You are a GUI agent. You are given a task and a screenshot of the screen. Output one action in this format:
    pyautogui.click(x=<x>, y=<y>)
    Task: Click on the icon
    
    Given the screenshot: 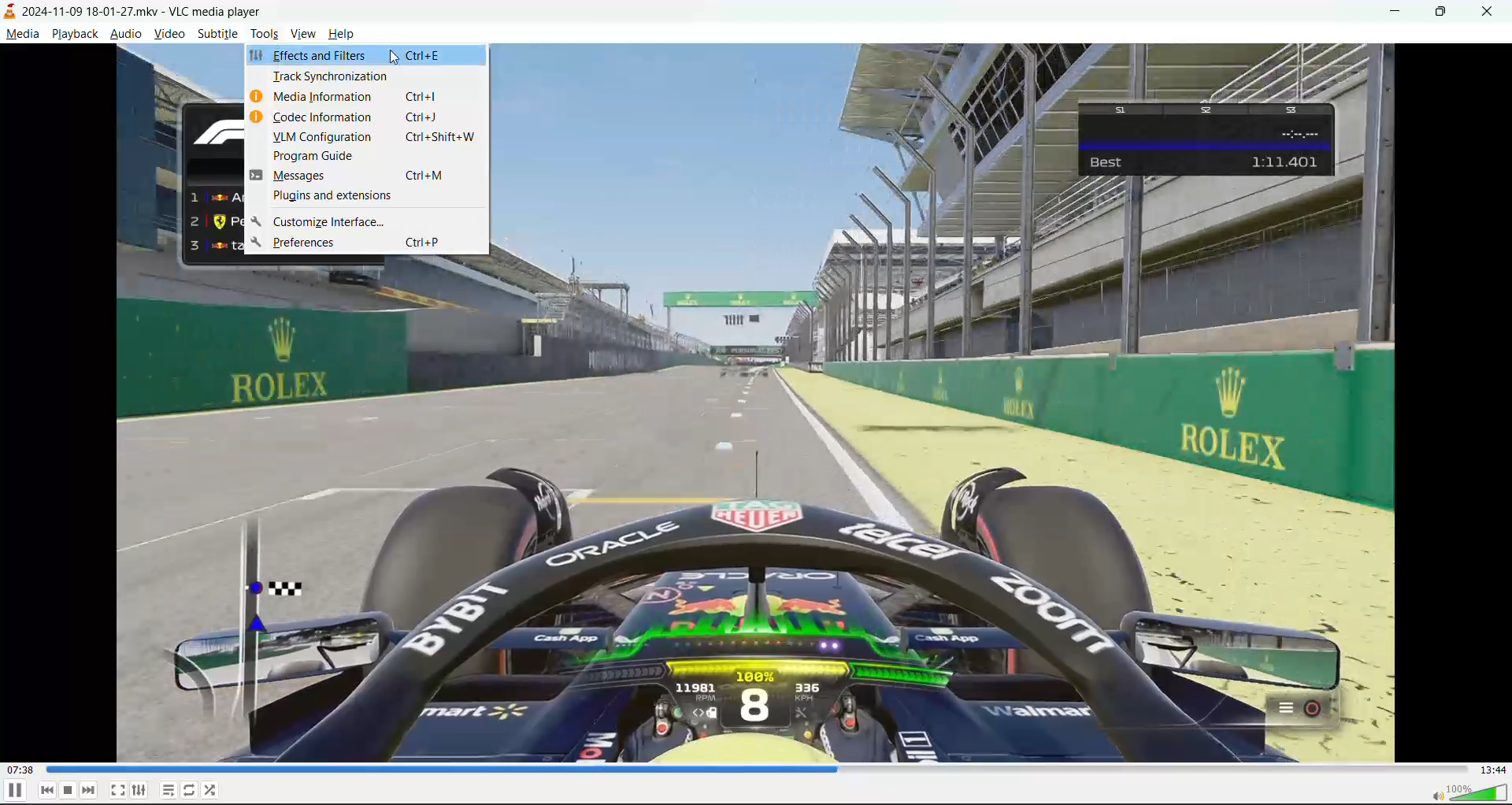 What is the action you would take?
    pyautogui.click(x=255, y=222)
    